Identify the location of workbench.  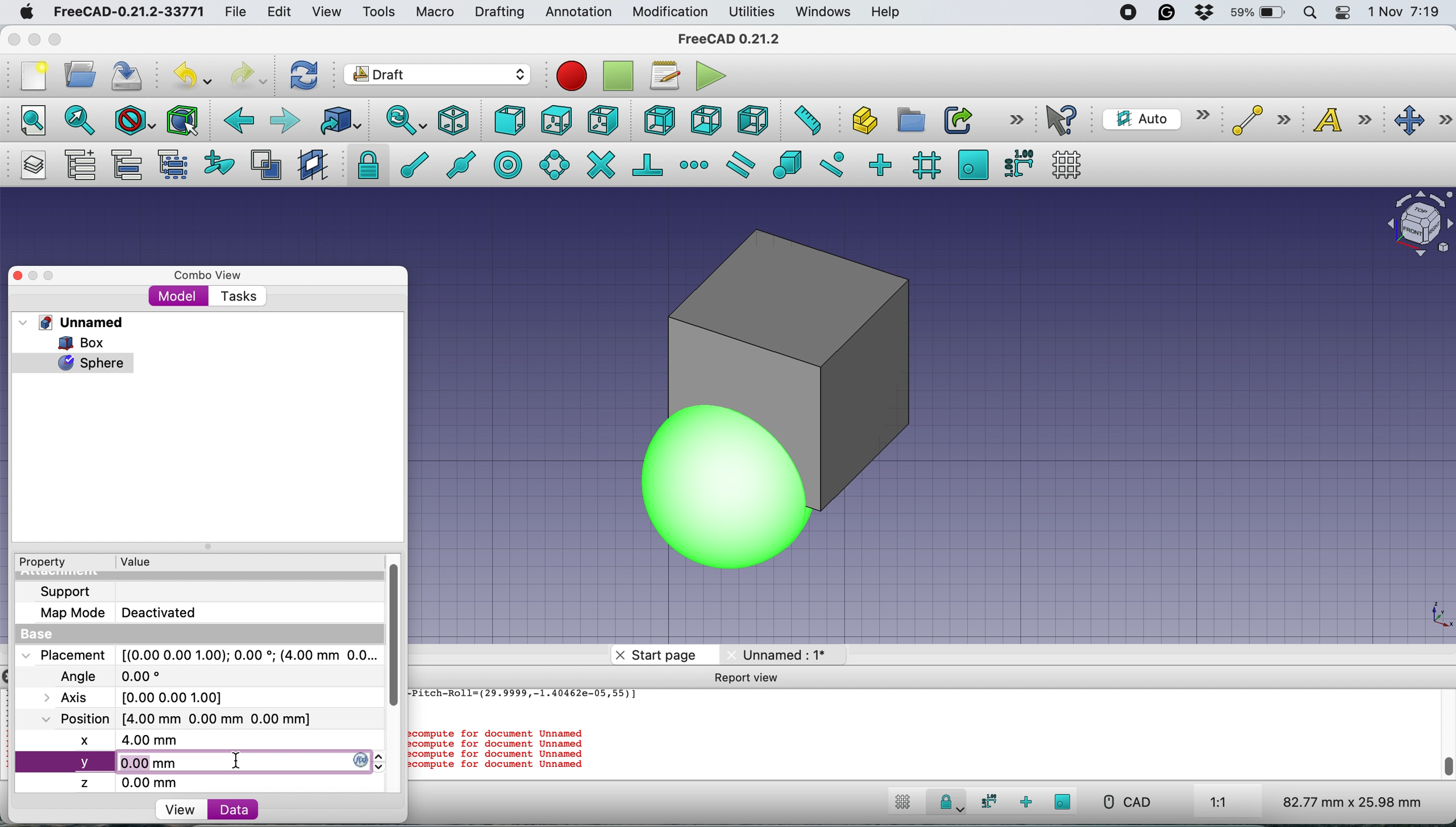
(438, 76).